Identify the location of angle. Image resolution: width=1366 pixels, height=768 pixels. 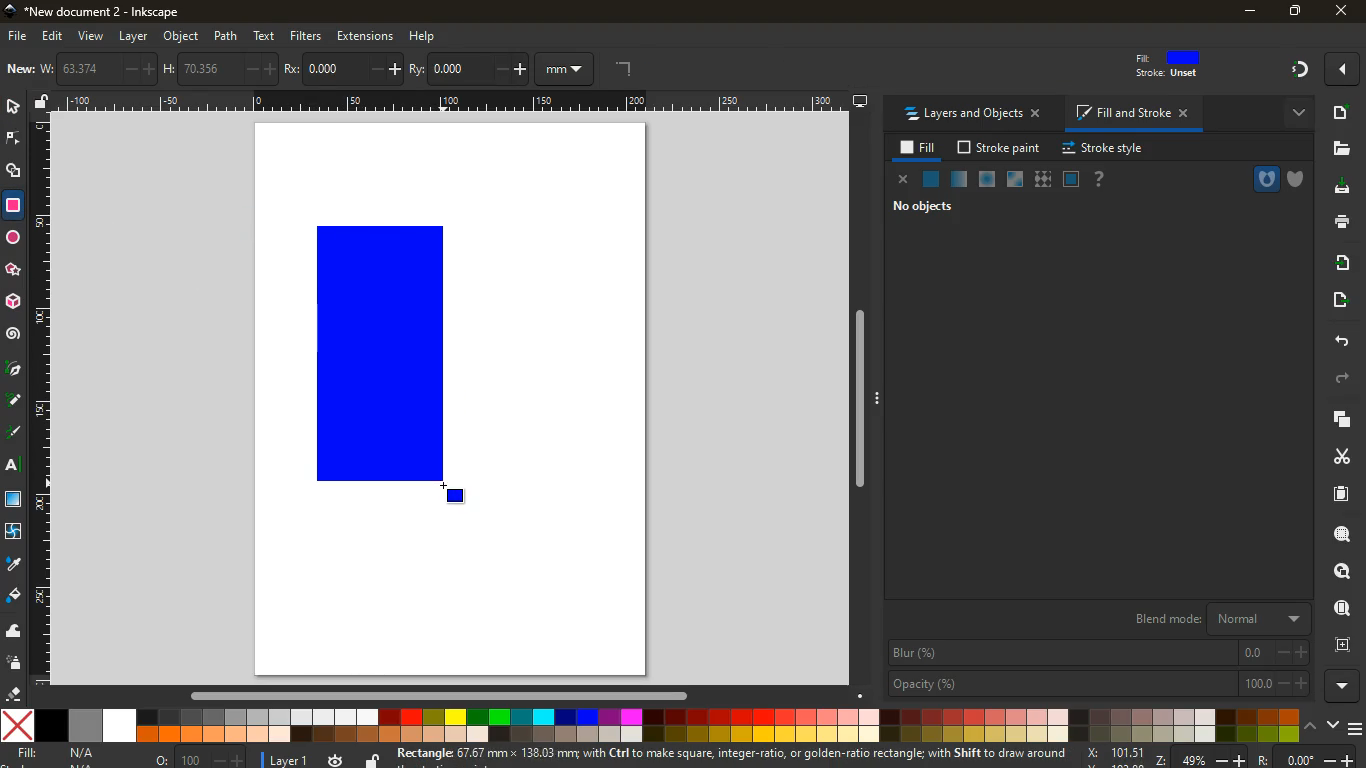
(629, 70).